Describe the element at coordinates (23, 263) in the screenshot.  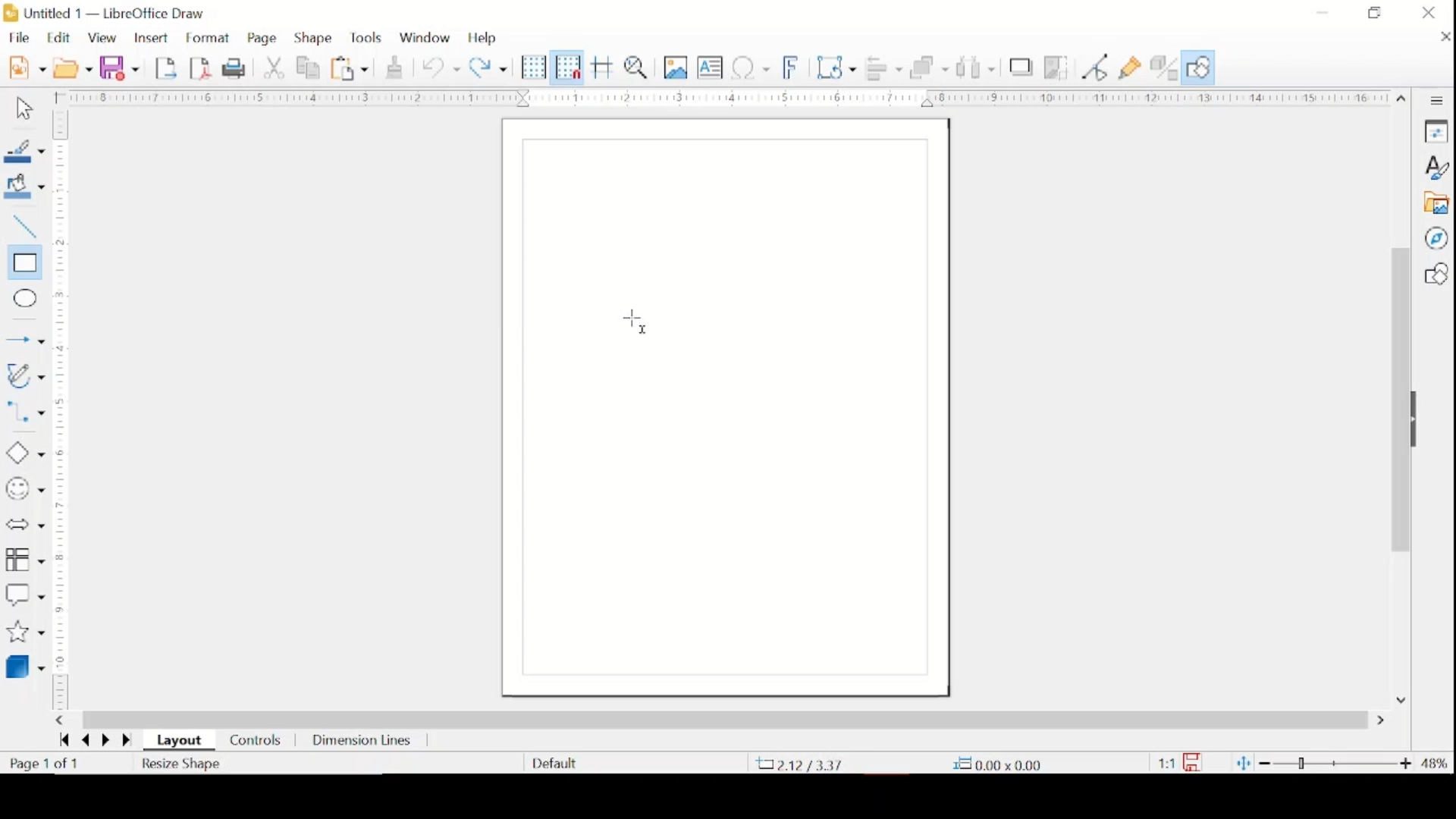
I see `insert rectangle` at that location.